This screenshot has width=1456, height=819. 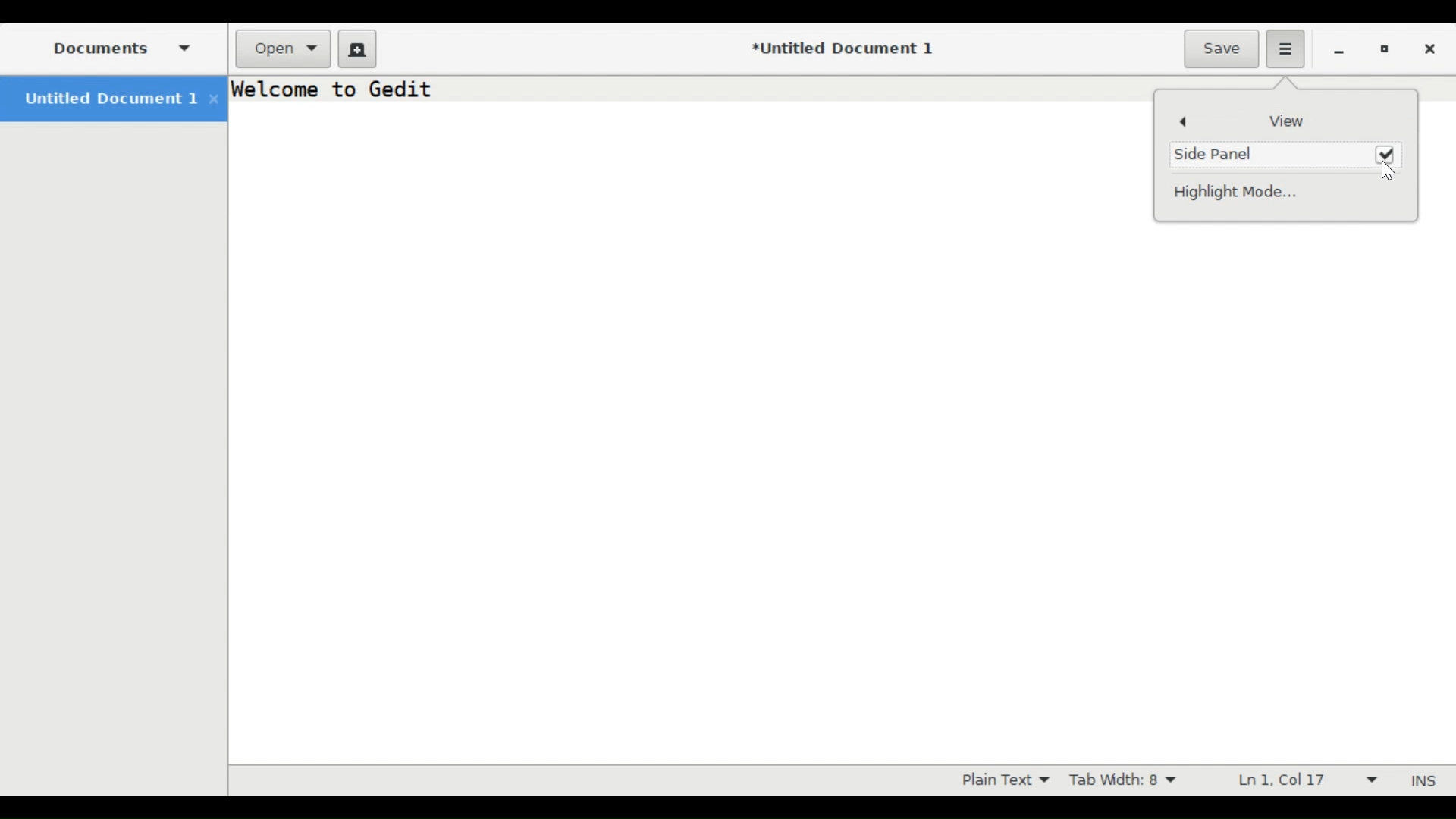 What do you see at coordinates (1432, 47) in the screenshot?
I see `Close` at bounding box center [1432, 47].